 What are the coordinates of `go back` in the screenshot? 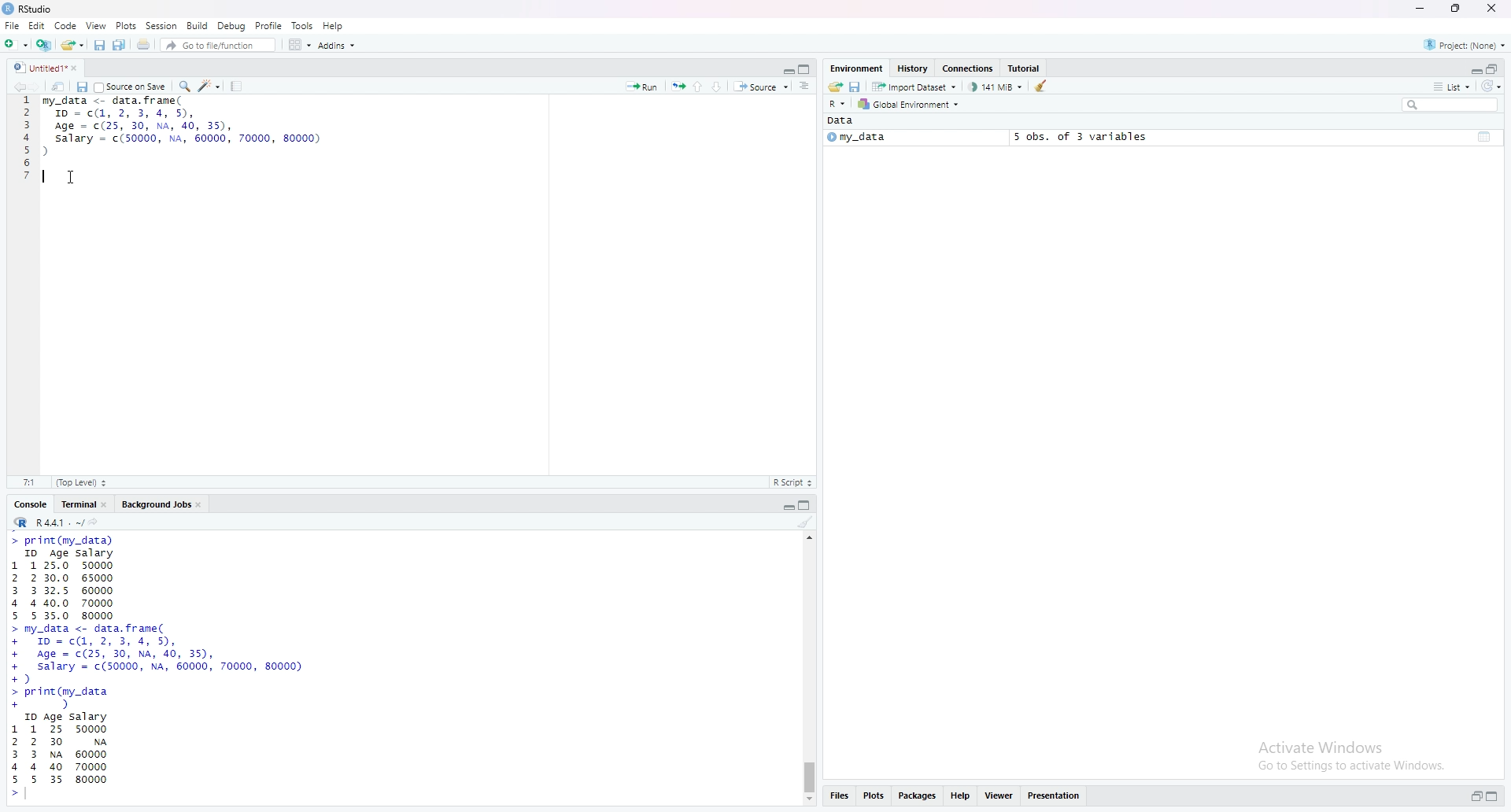 It's located at (16, 87).